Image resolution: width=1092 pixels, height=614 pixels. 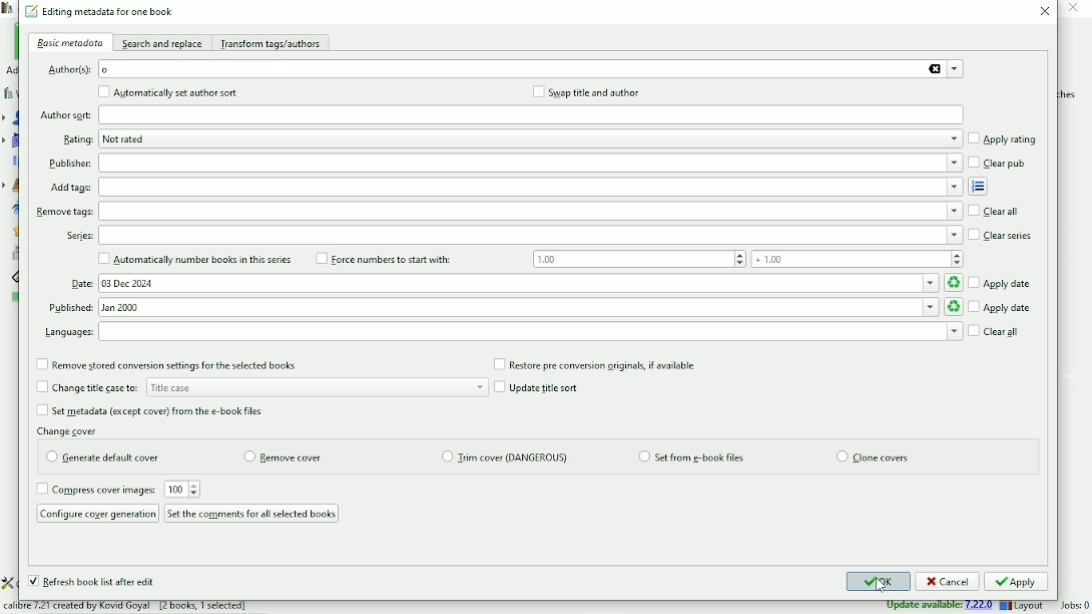 I want to click on Date, so click(x=67, y=283).